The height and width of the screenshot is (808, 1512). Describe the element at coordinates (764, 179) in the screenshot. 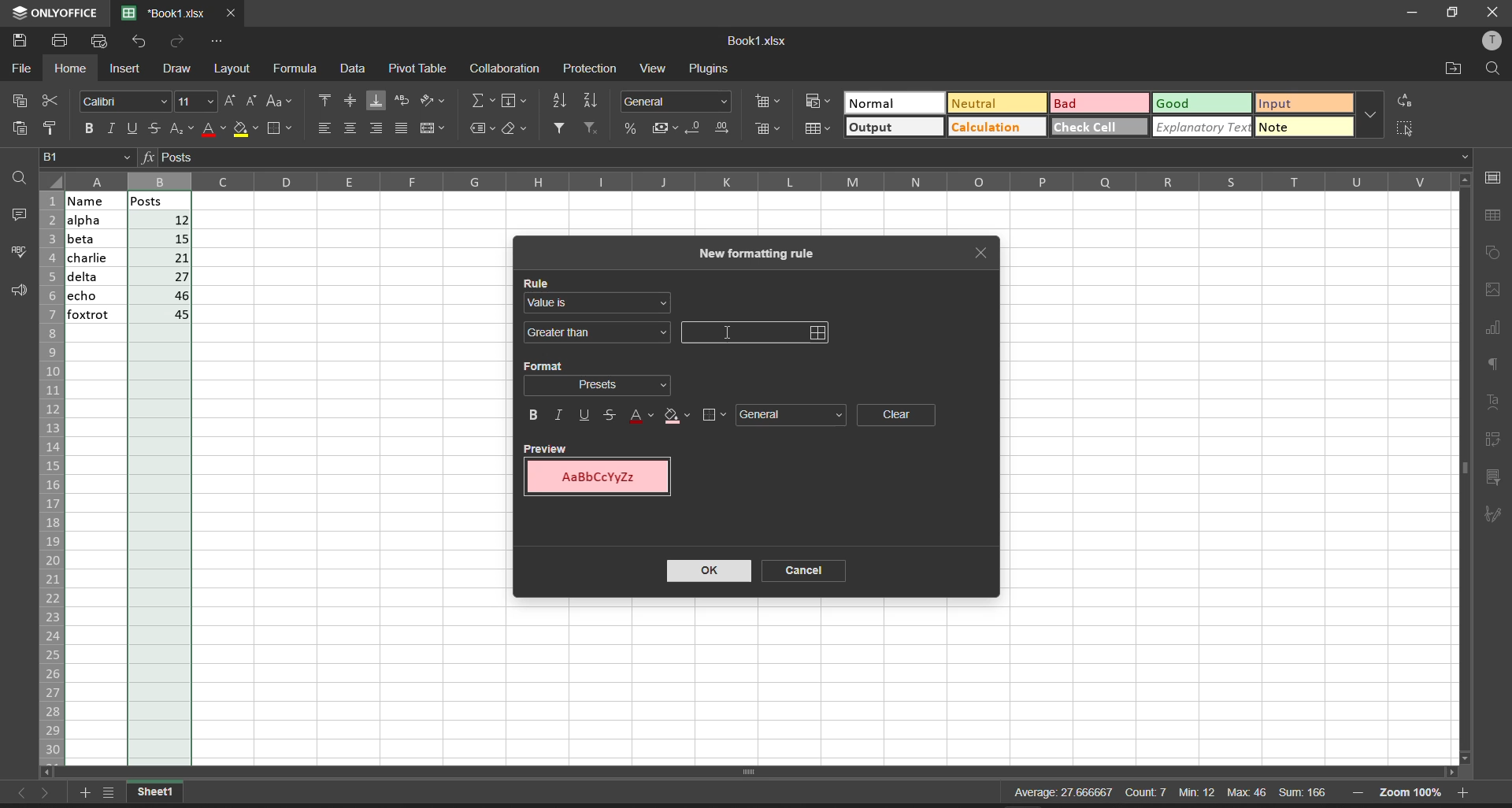

I see `column name` at that location.